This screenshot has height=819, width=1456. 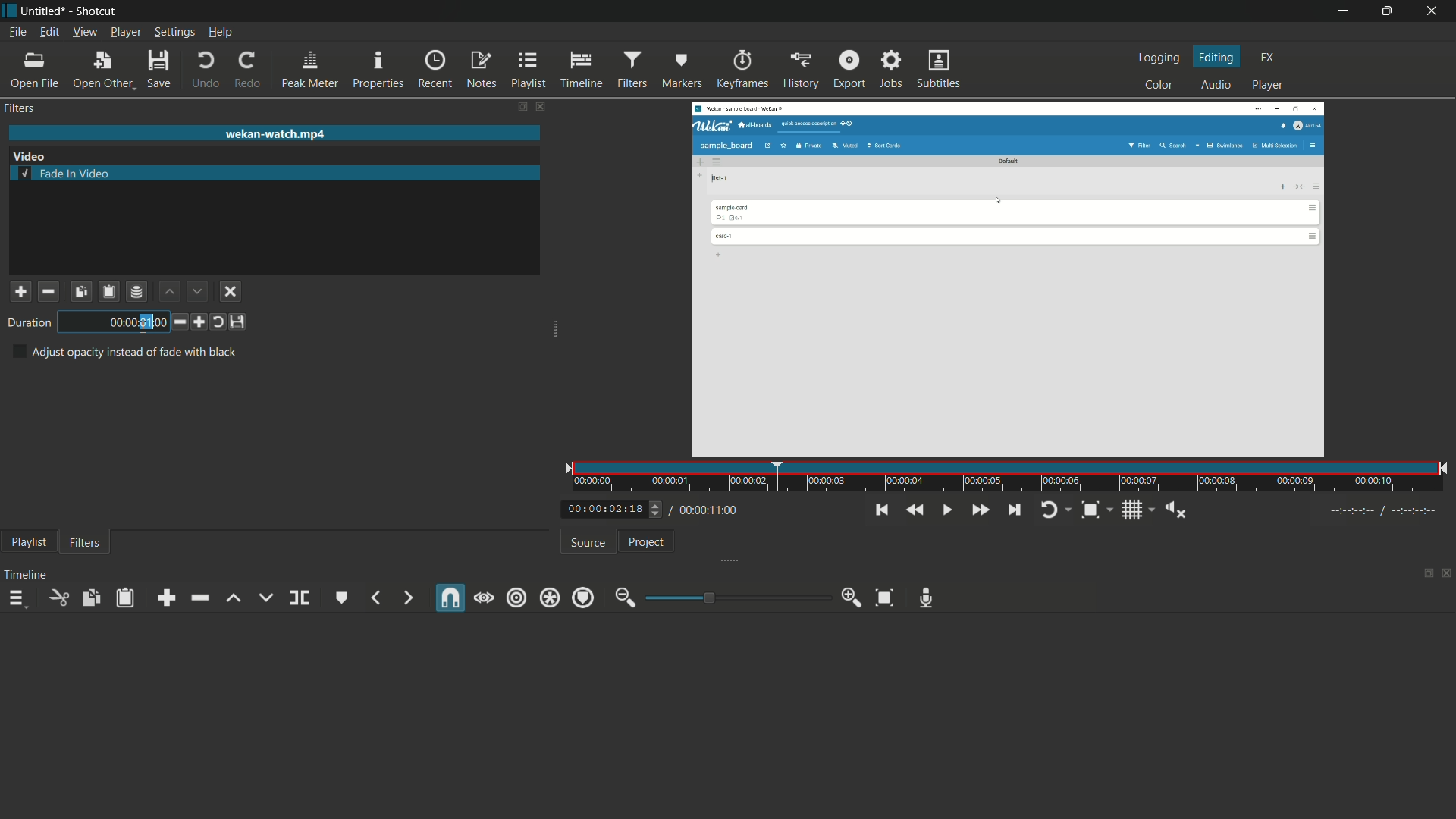 What do you see at coordinates (30, 542) in the screenshot?
I see `playlist` at bounding box center [30, 542].